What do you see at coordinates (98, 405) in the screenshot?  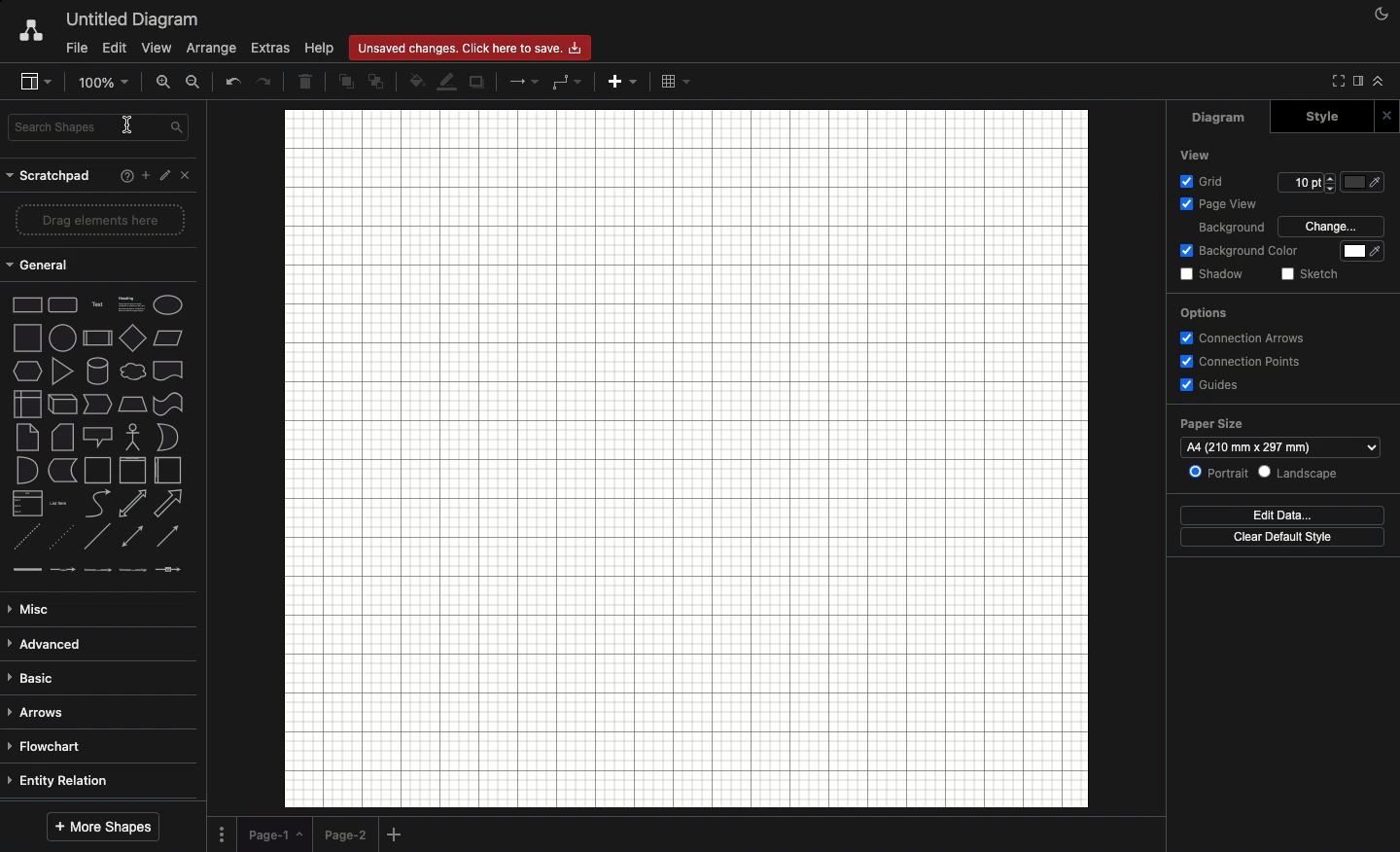 I see `shape` at bounding box center [98, 405].